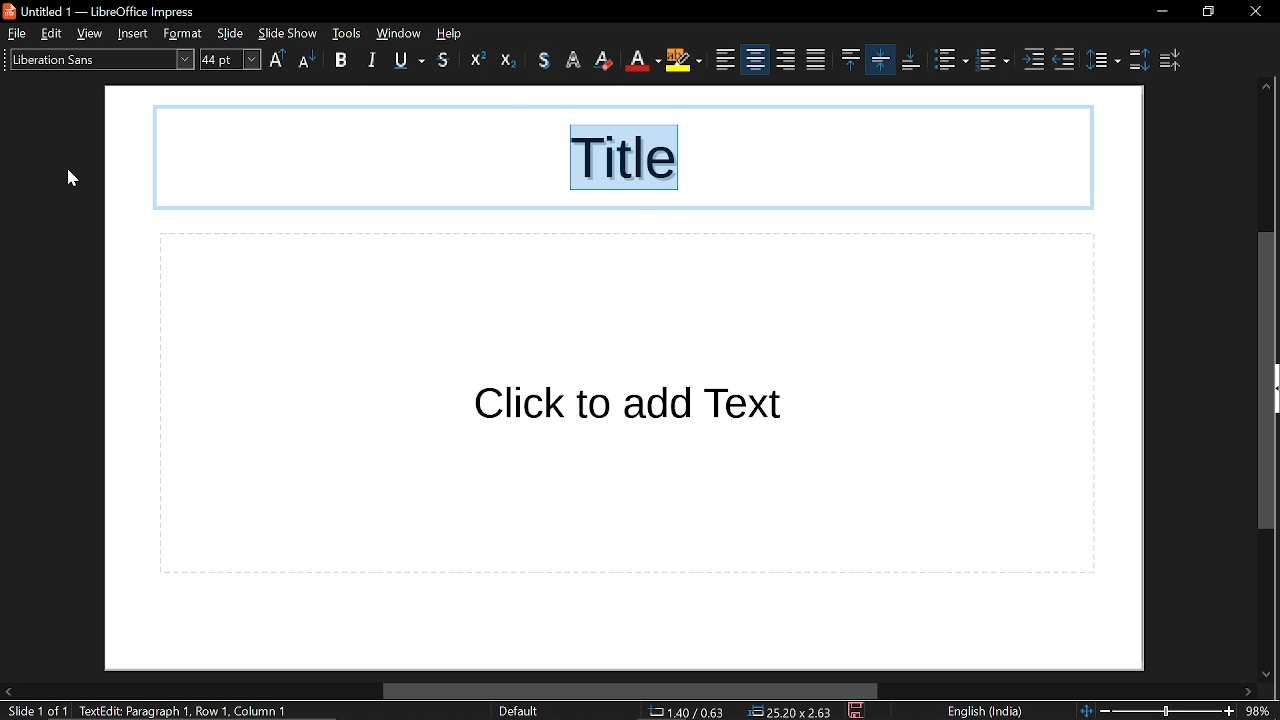 The width and height of the screenshot is (1280, 720). I want to click on edit, so click(54, 34).